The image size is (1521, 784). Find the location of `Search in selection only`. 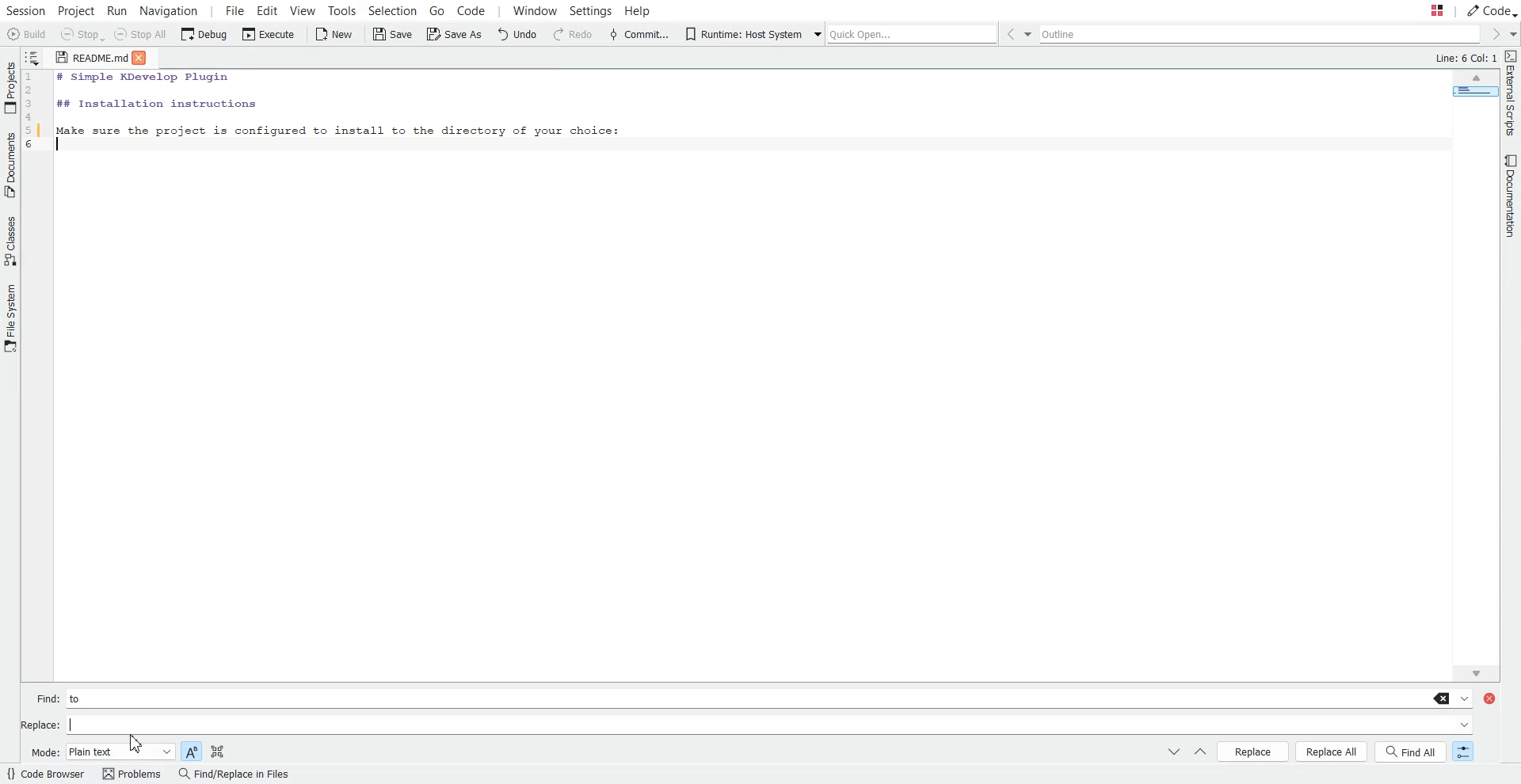

Search in selection only is located at coordinates (217, 750).